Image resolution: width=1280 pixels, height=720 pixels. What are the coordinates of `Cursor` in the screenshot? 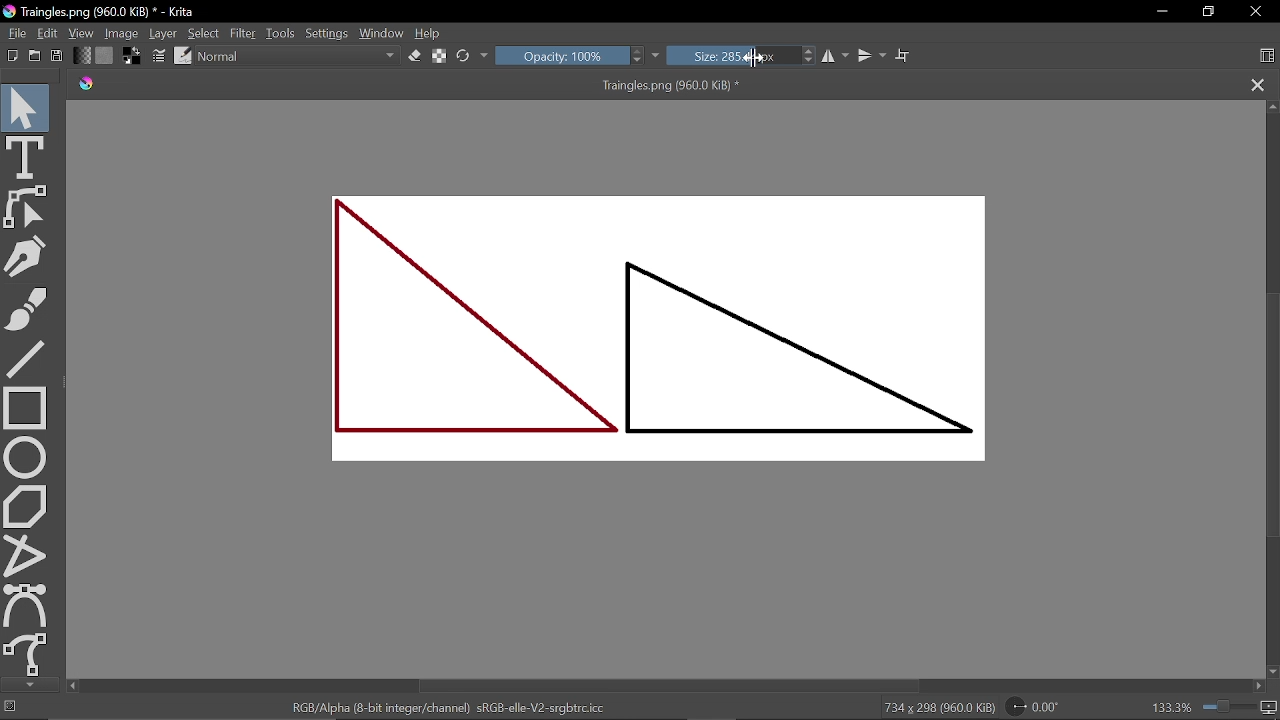 It's located at (753, 59).